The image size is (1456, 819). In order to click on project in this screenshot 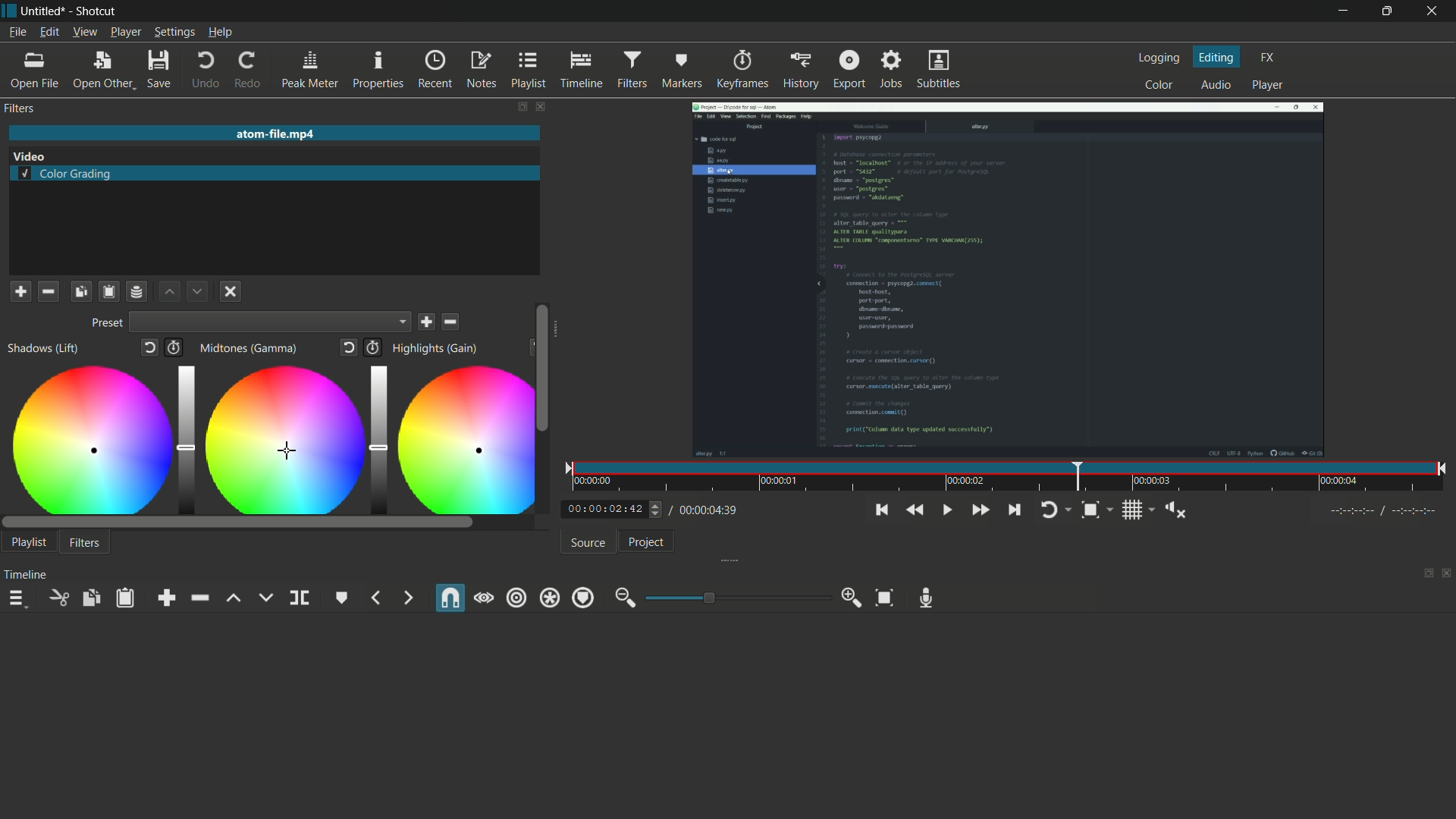, I will do `click(645, 542)`.